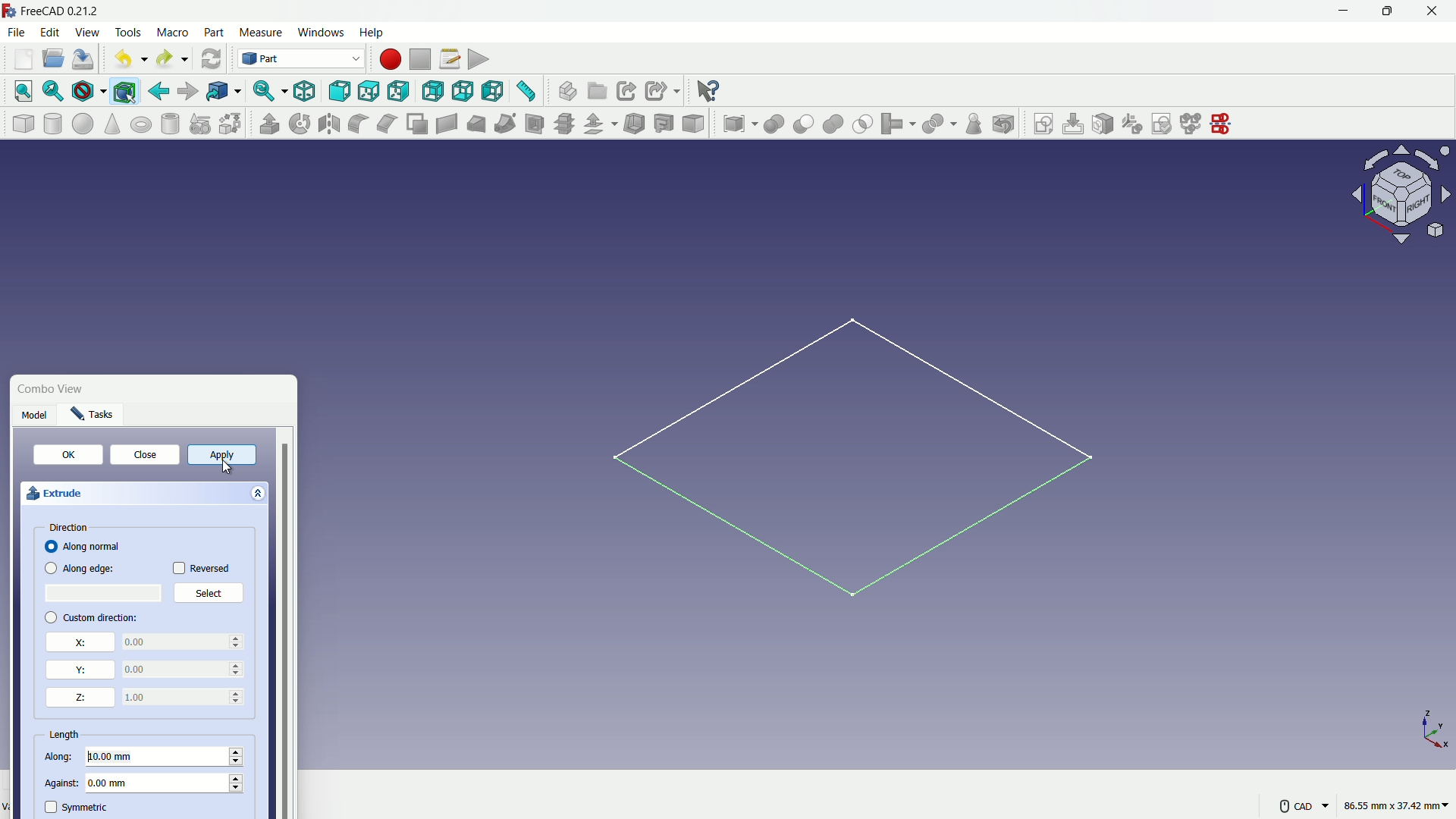 The height and width of the screenshot is (819, 1456). I want to click on measure, so click(261, 32).